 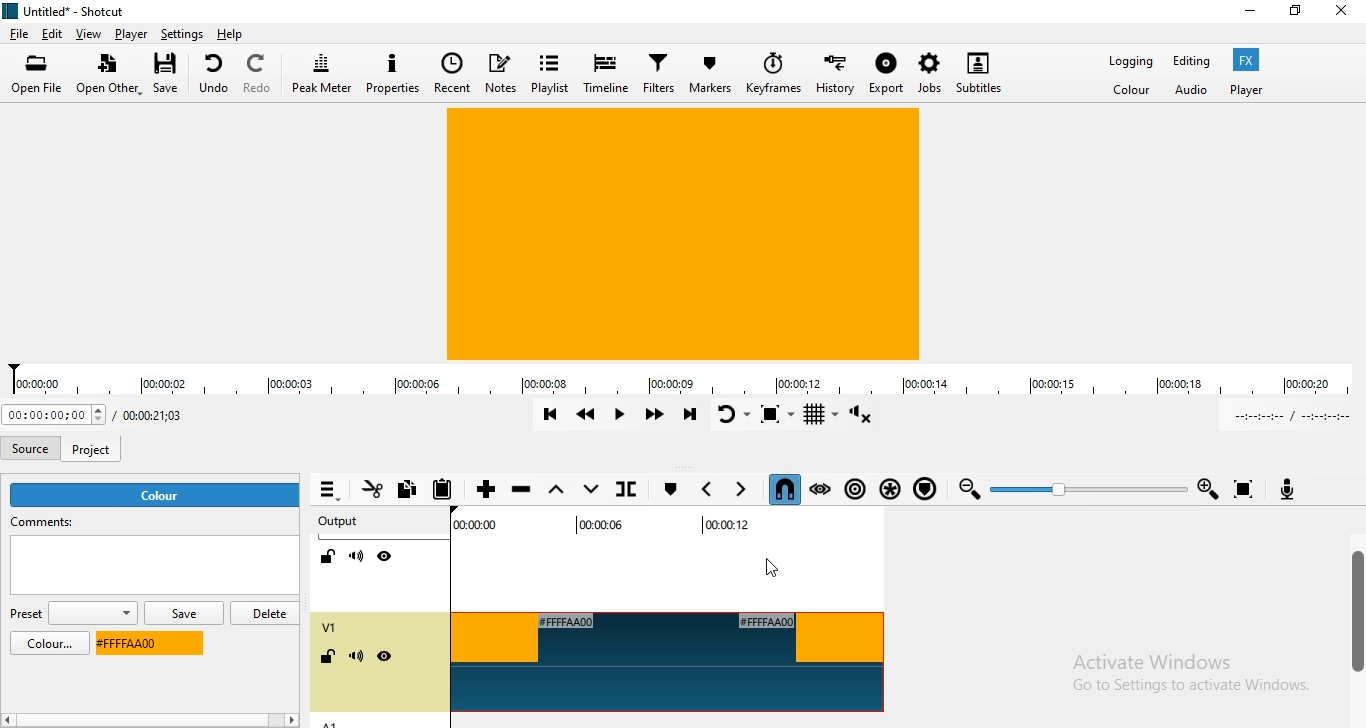 I want to click on preset, so click(x=72, y=614).